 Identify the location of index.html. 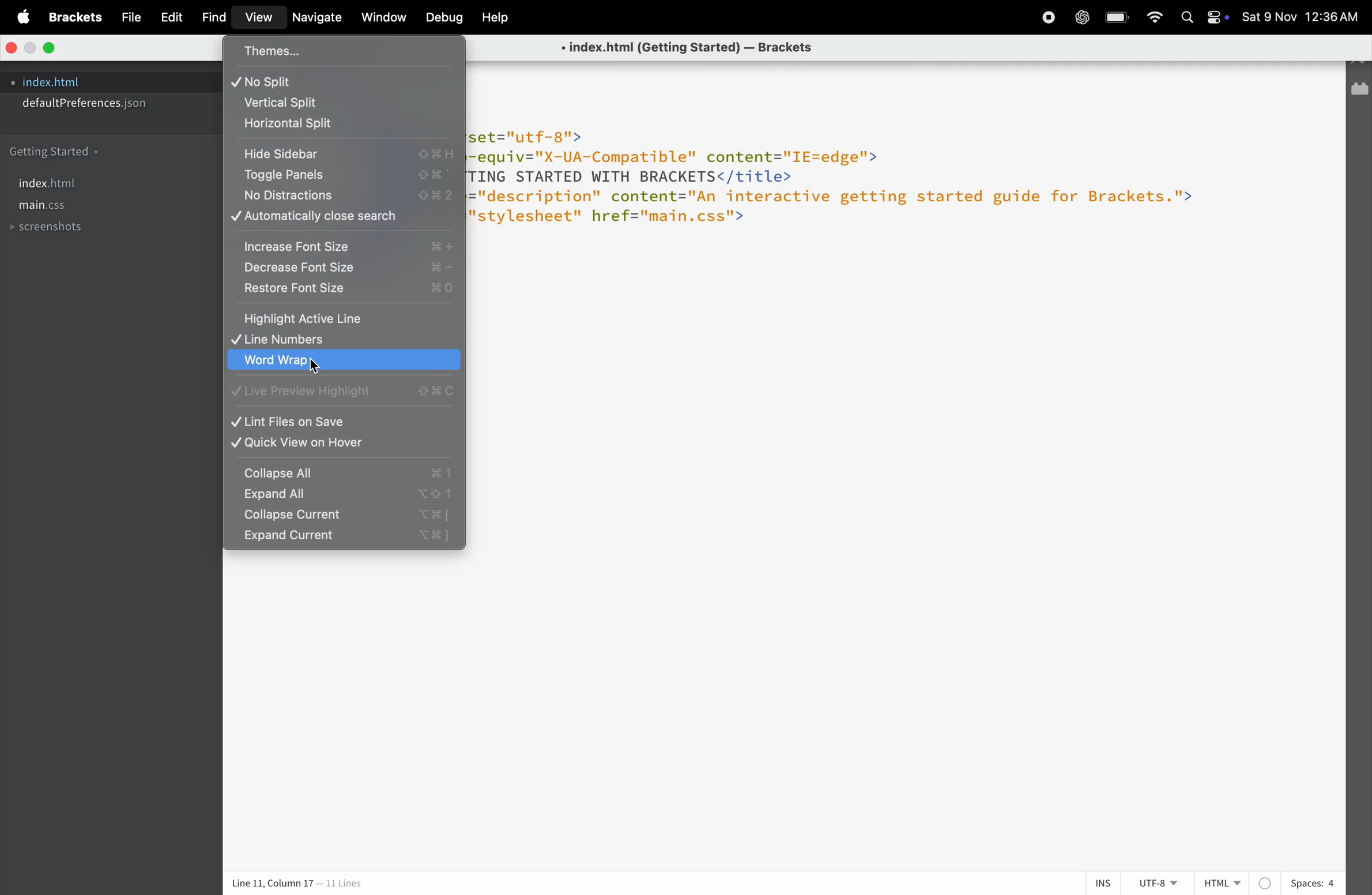
(54, 82).